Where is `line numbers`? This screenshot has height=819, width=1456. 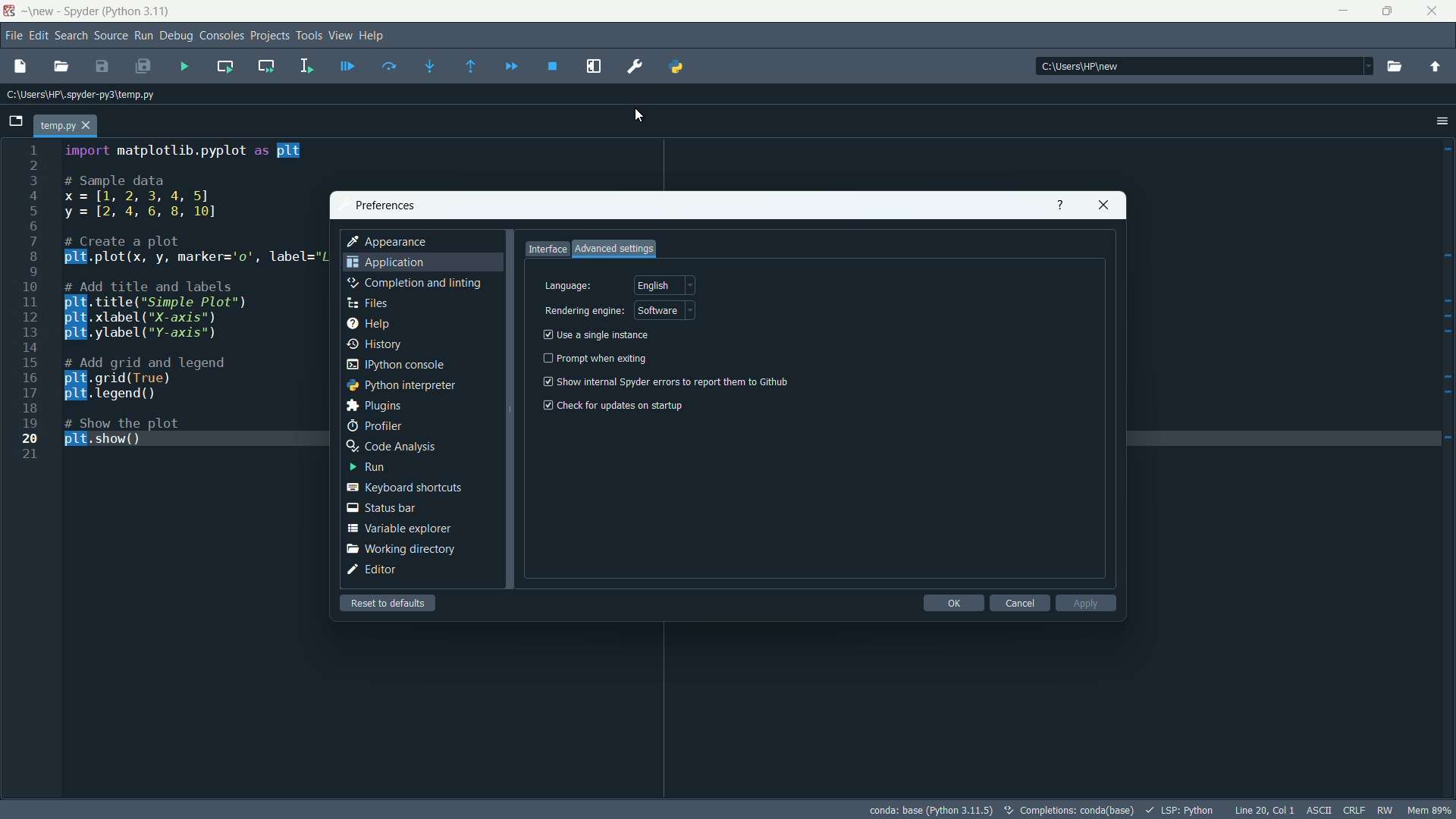 line numbers is located at coordinates (30, 303).